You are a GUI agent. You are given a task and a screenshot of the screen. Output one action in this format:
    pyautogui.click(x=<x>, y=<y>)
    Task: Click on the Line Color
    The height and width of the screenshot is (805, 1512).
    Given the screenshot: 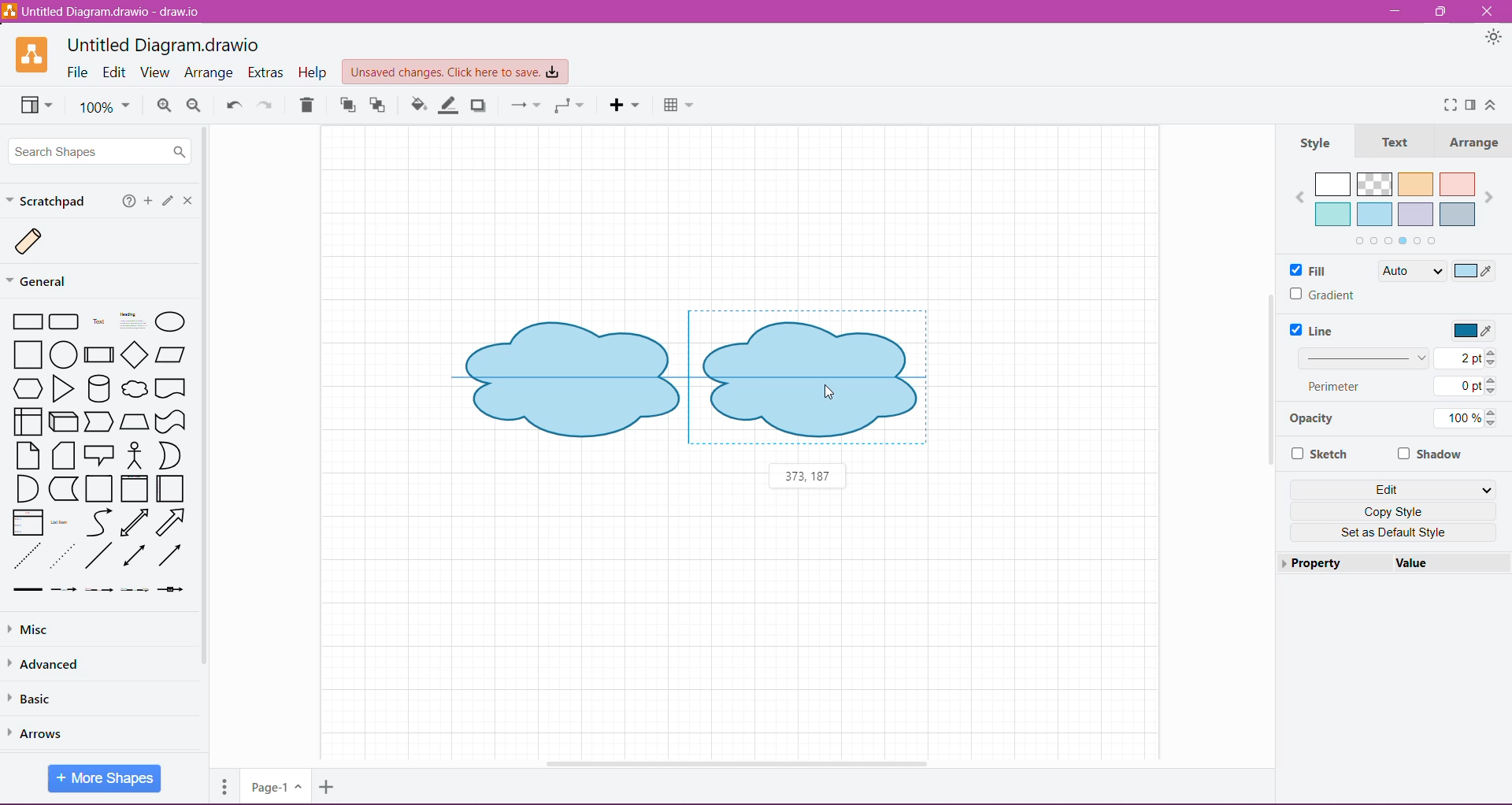 What is the action you would take?
    pyautogui.click(x=449, y=106)
    